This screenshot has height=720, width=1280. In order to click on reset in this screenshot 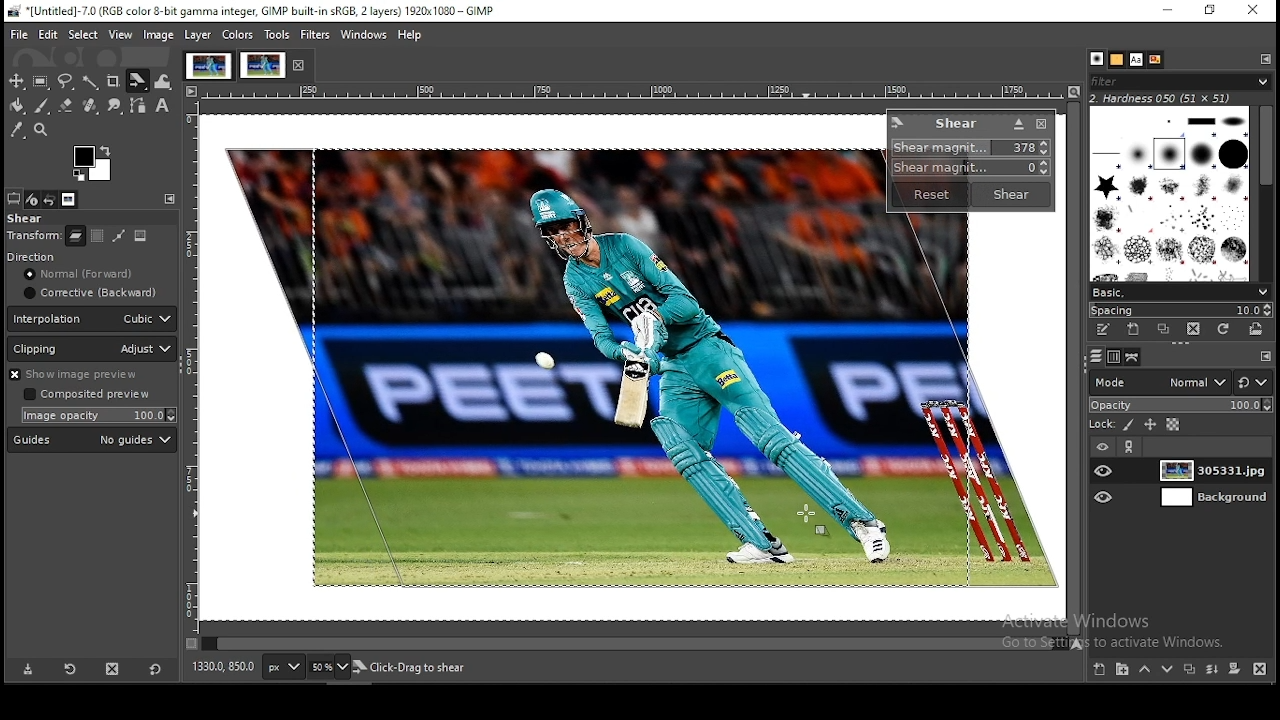, I will do `click(930, 195)`.